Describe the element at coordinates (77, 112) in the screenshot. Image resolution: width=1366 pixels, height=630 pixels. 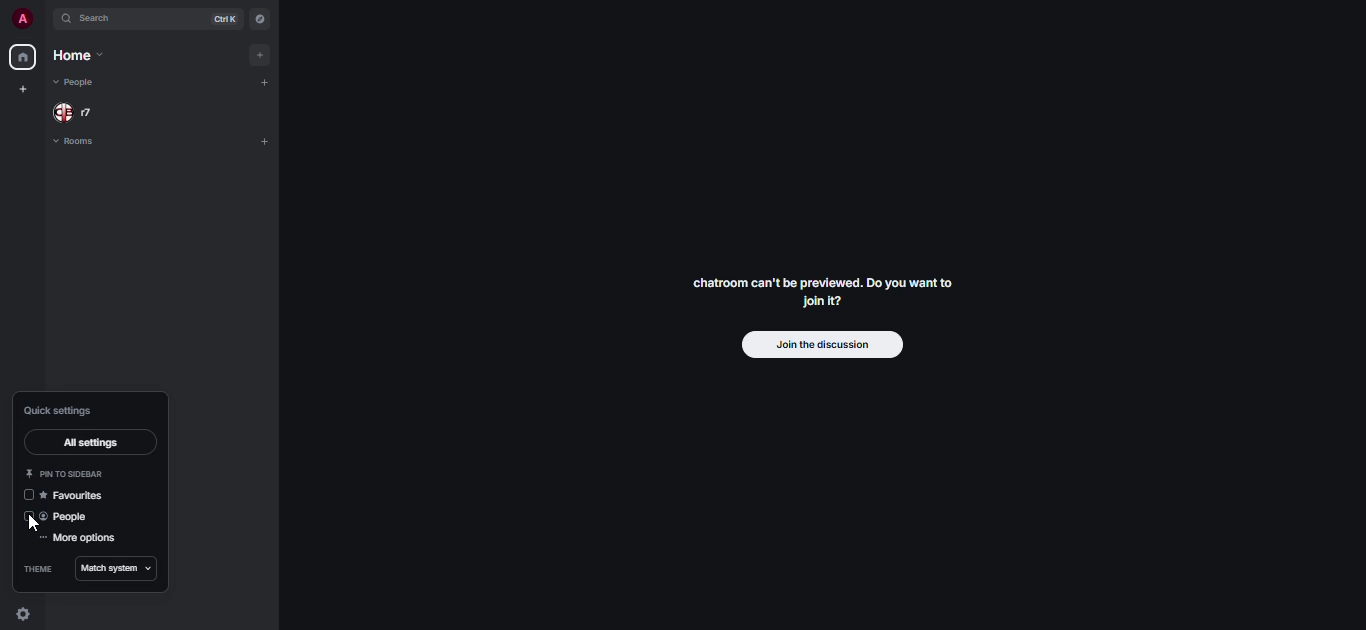
I see `people` at that location.